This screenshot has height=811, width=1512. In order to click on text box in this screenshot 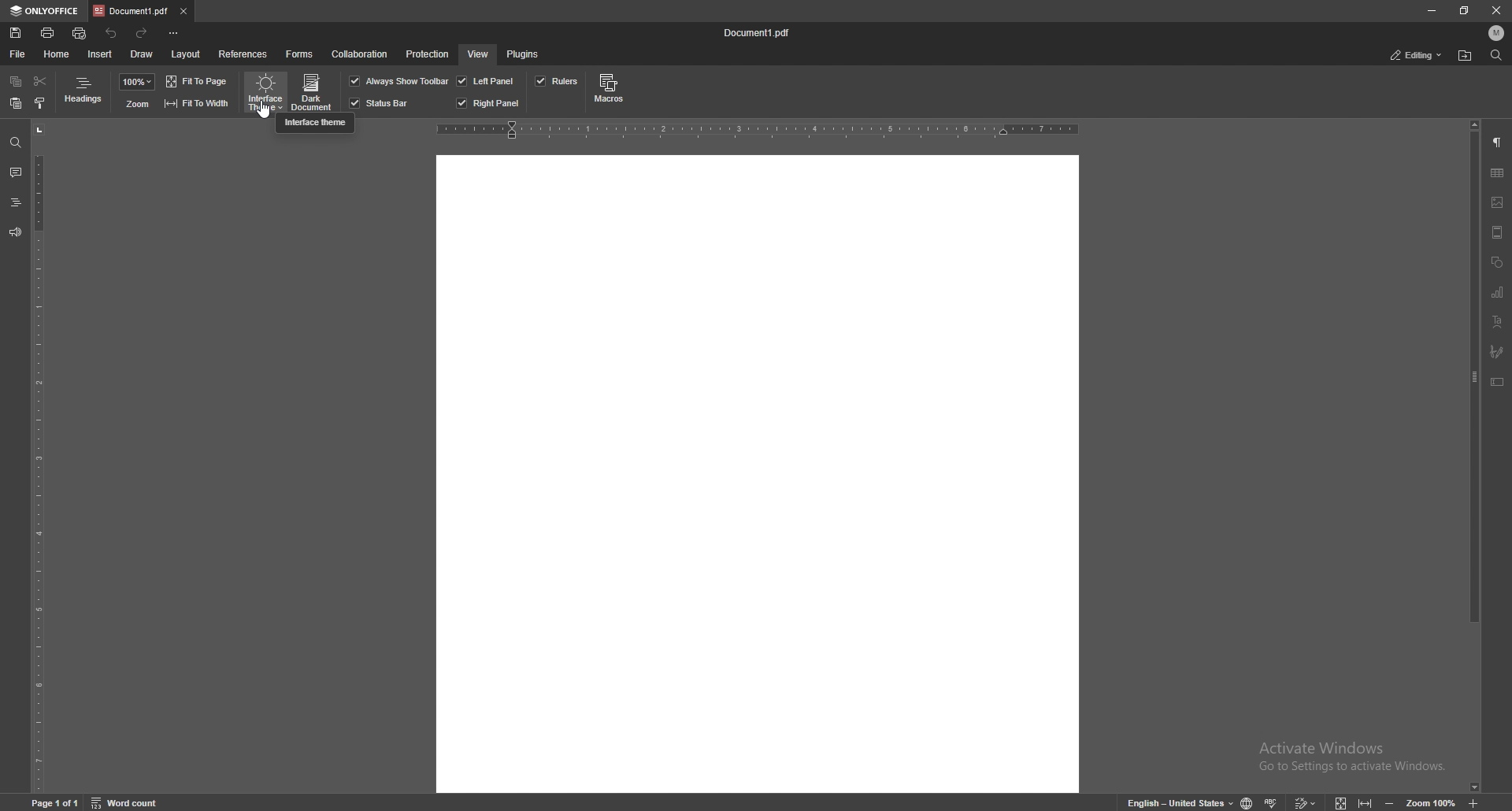, I will do `click(1498, 383)`.